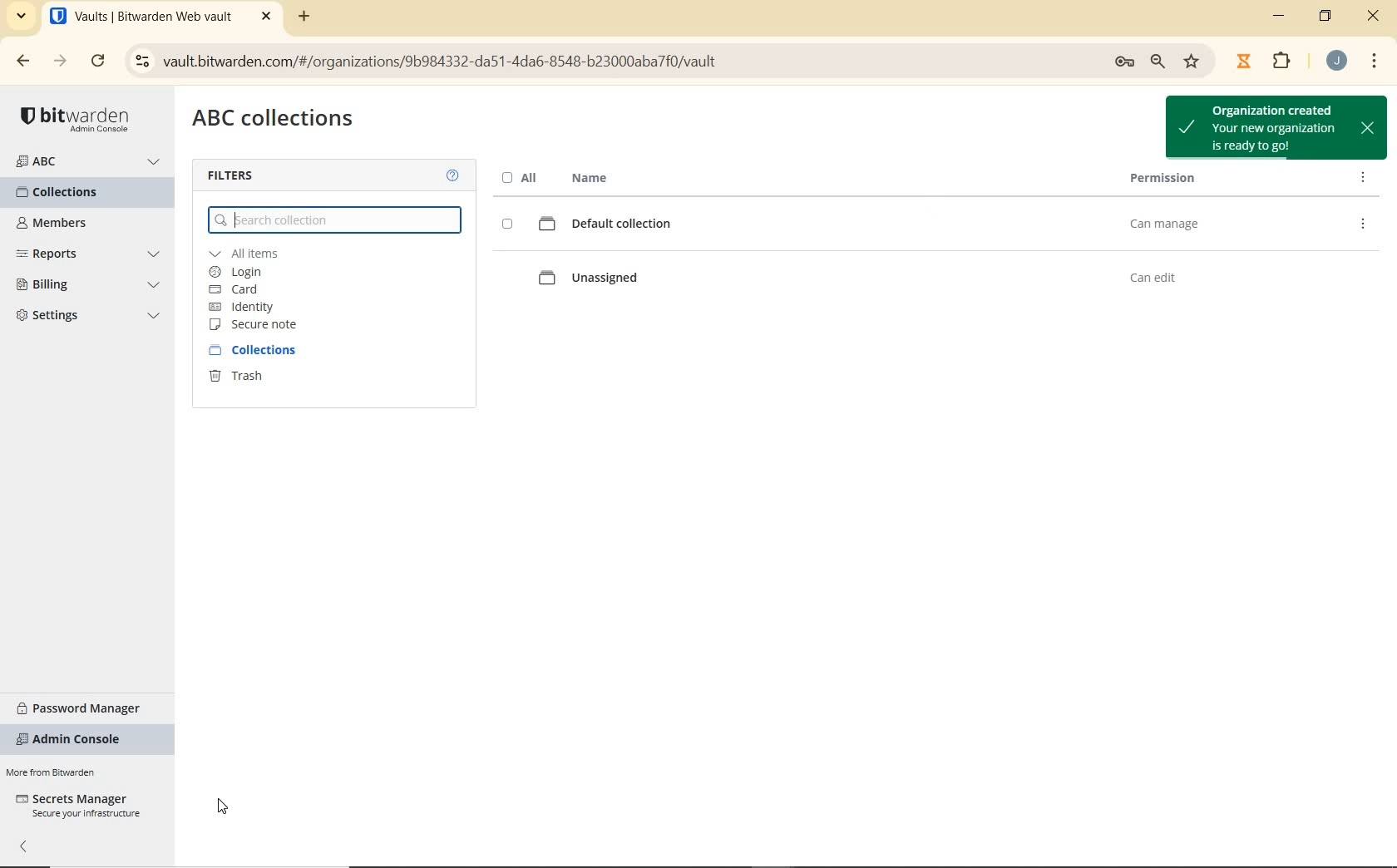 The image size is (1397, 868). I want to click on SUBMIT, so click(231, 802).